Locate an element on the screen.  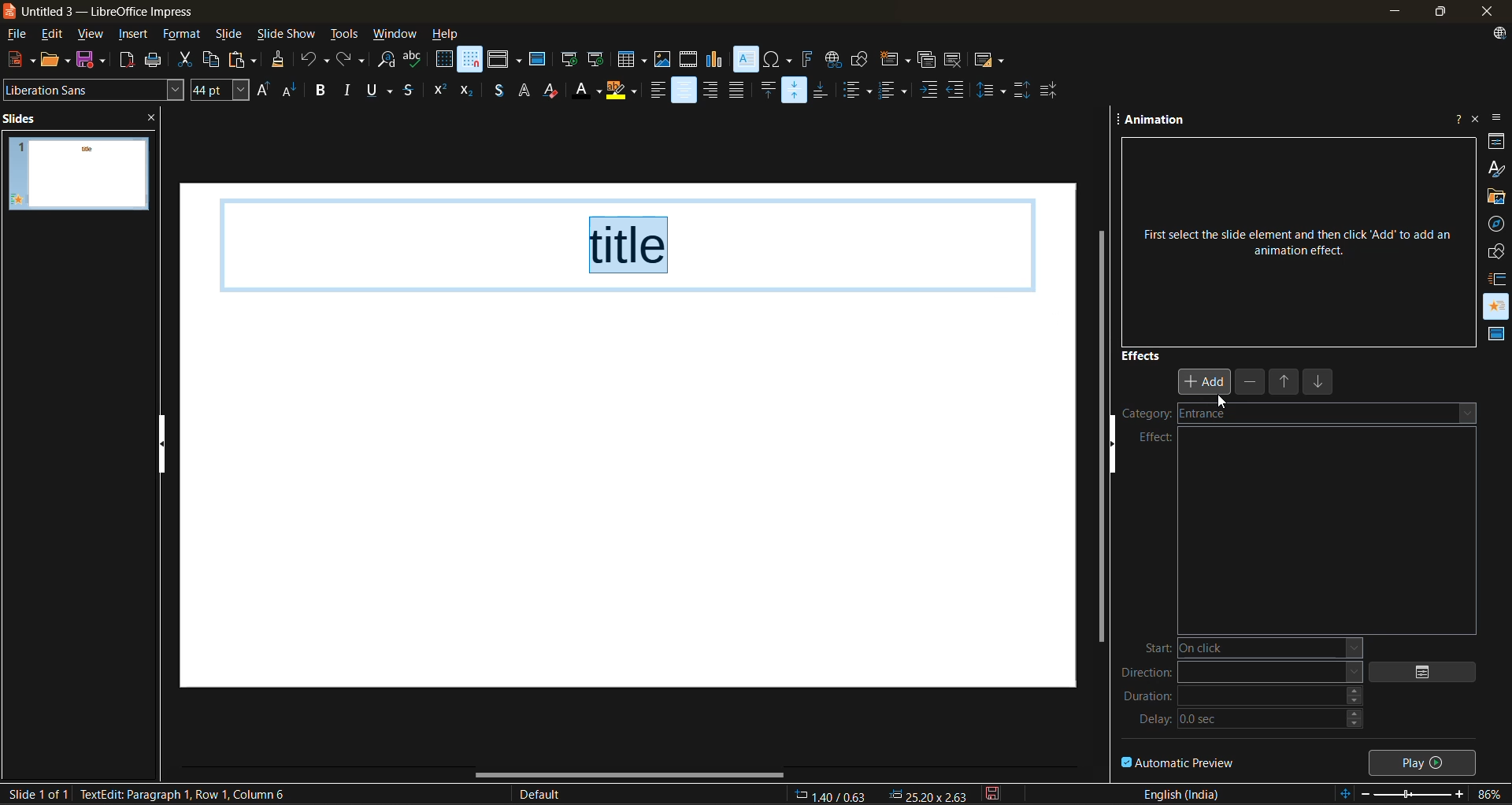
decrease paragraph spacing is located at coordinates (1050, 91).